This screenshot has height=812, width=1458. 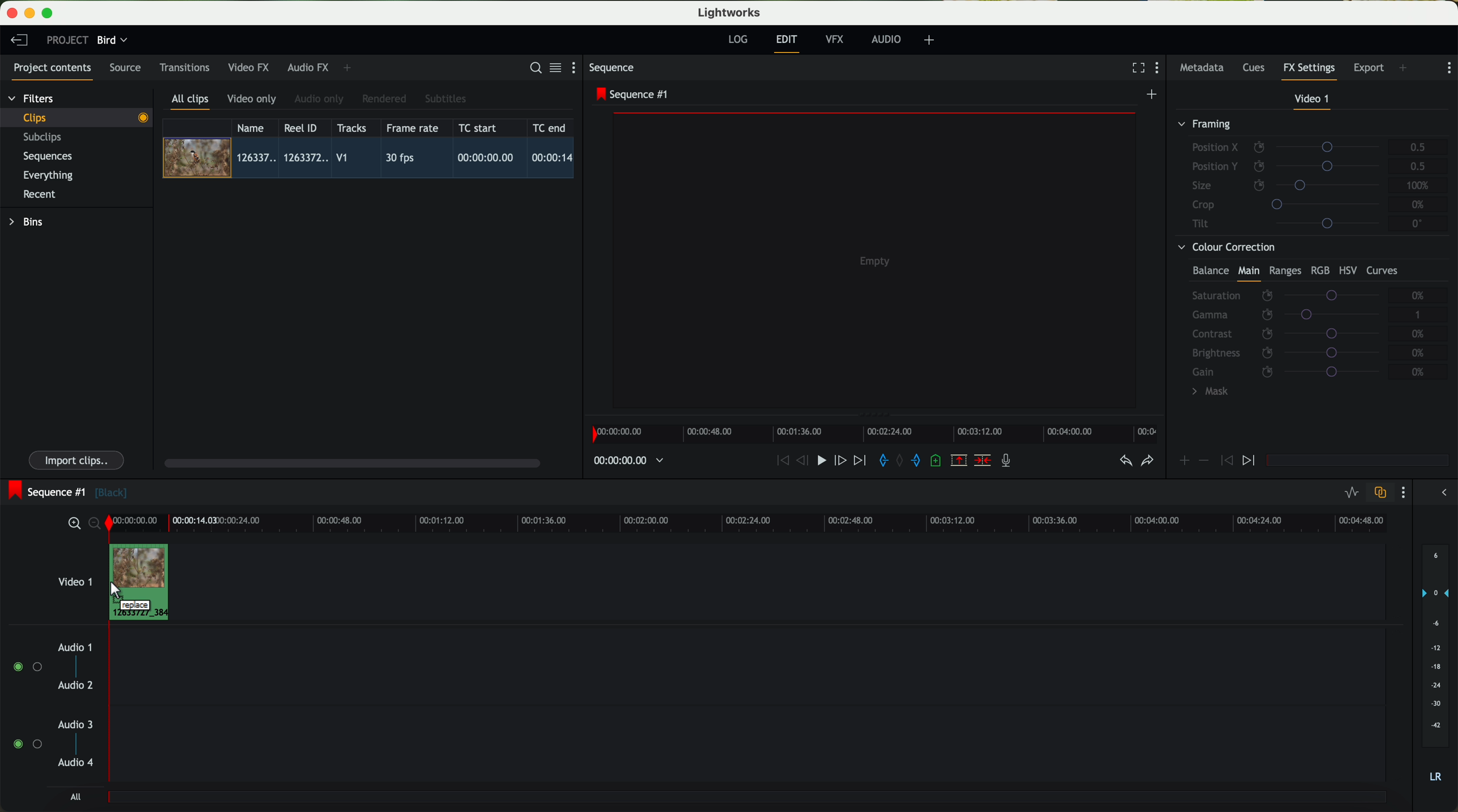 I want to click on tracks, so click(x=350, y=128).